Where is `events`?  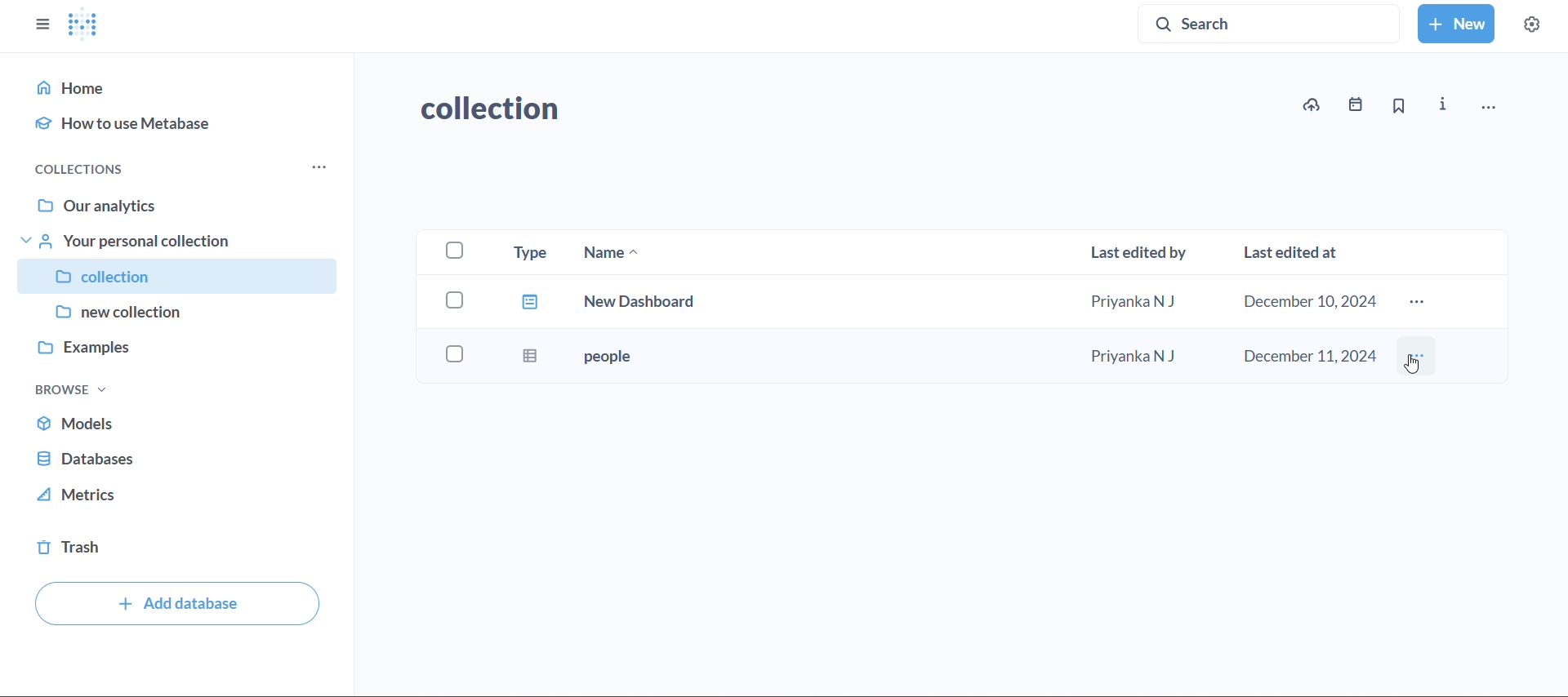
events is located at coordinates (1353, 105).